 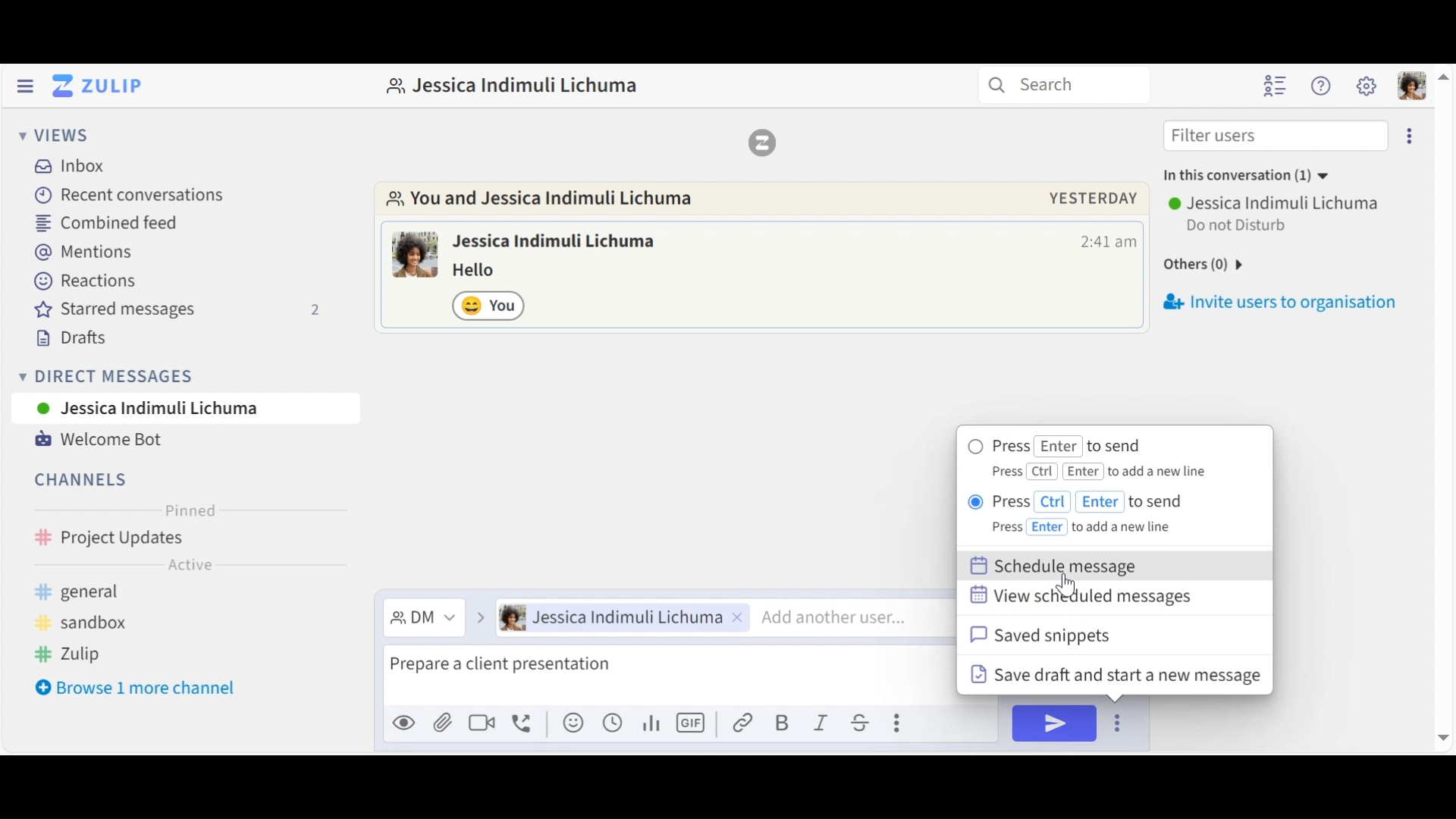 I want to click on Add GIF, so click(x=693, y=723).